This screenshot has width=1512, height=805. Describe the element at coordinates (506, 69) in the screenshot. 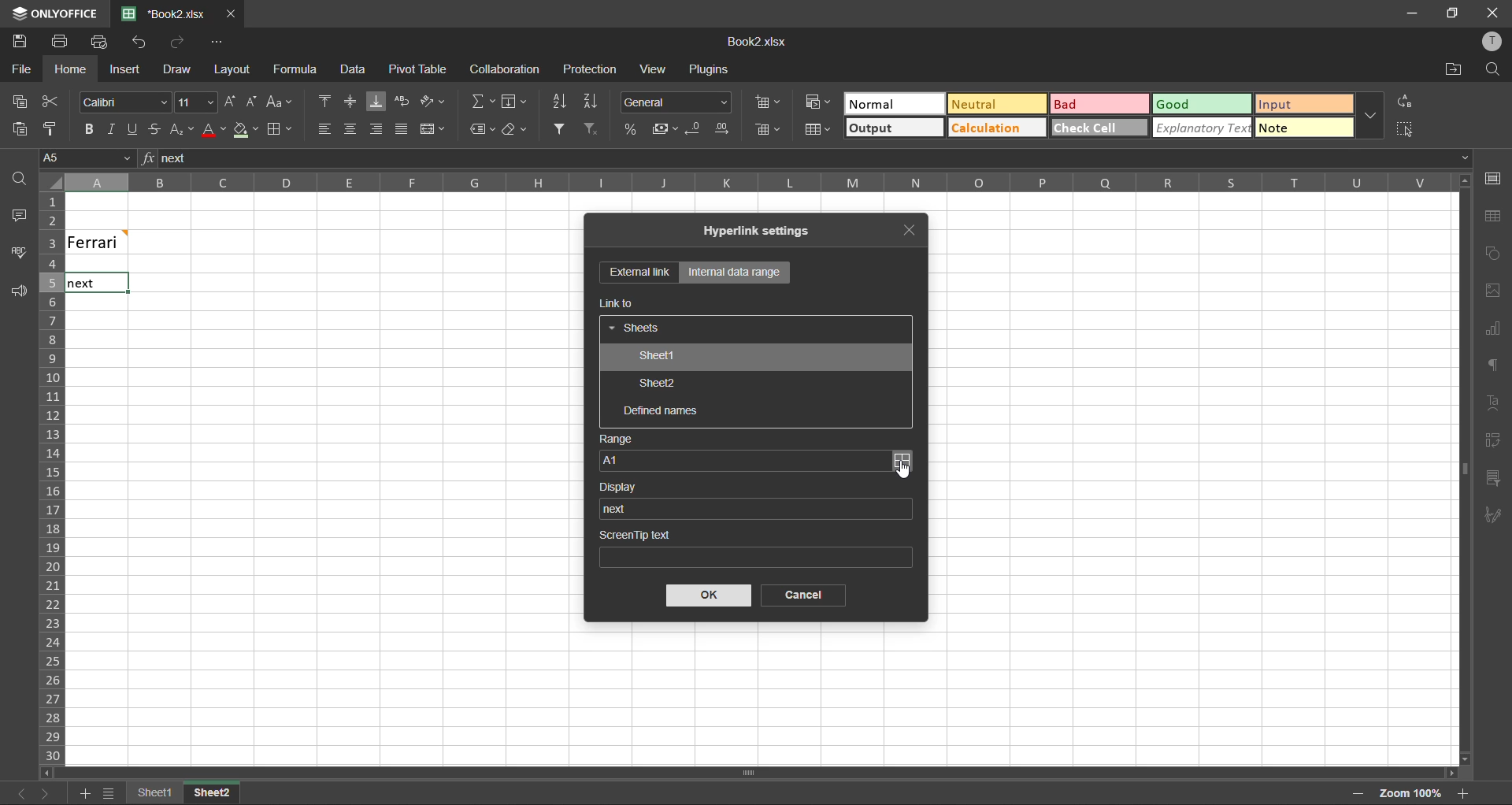

I see `collaboration` at that location.